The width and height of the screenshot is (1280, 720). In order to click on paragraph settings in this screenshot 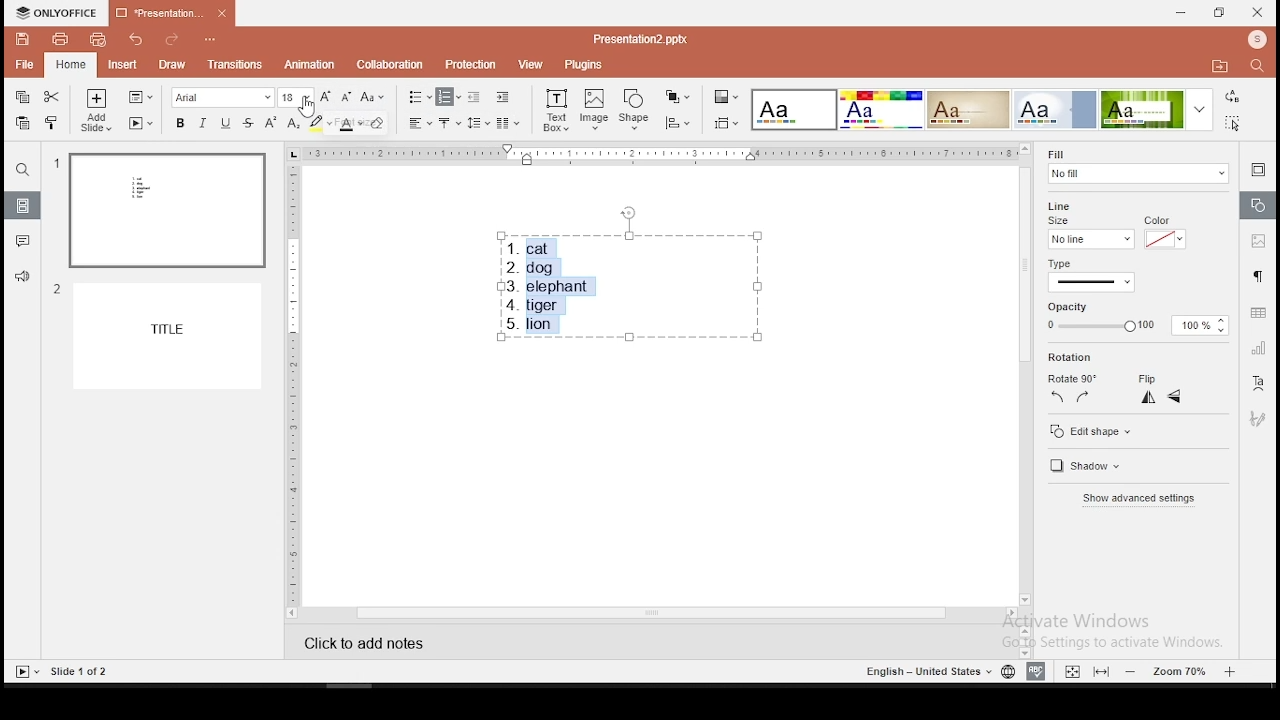, I will do `click(1257, 276)`.